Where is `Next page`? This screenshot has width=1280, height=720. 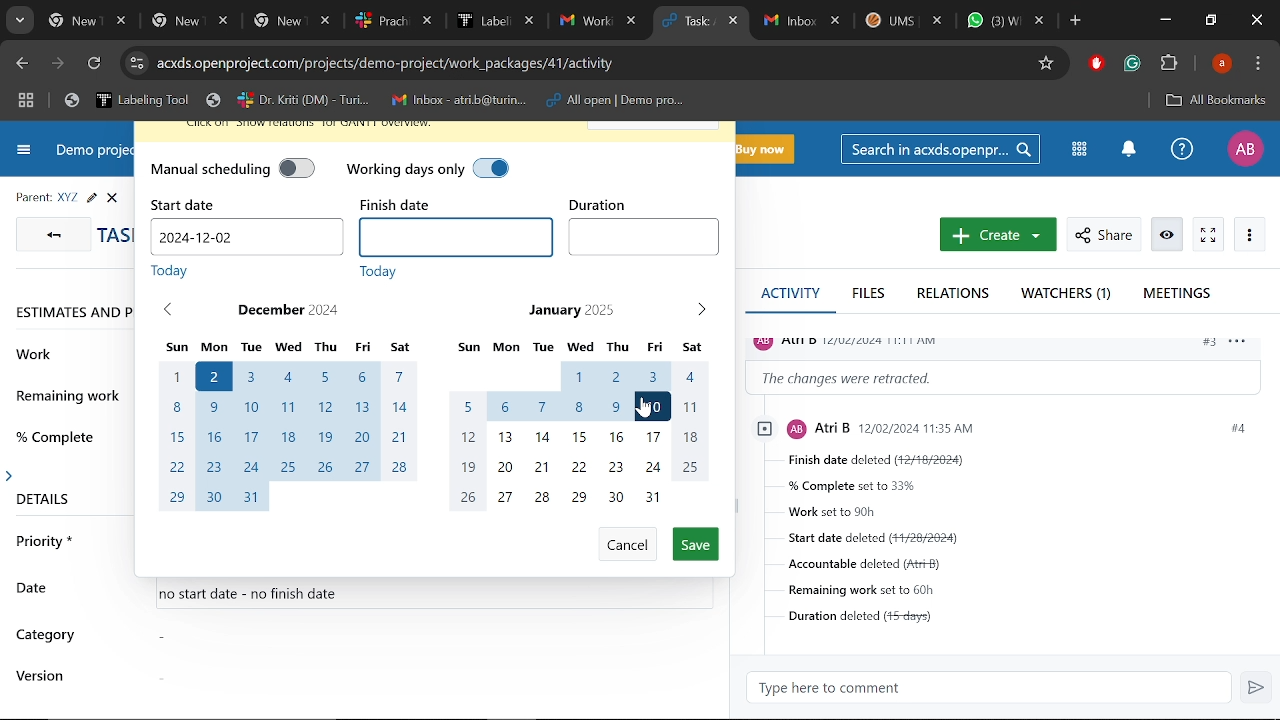 Next page is located at coordinates (60, 65).